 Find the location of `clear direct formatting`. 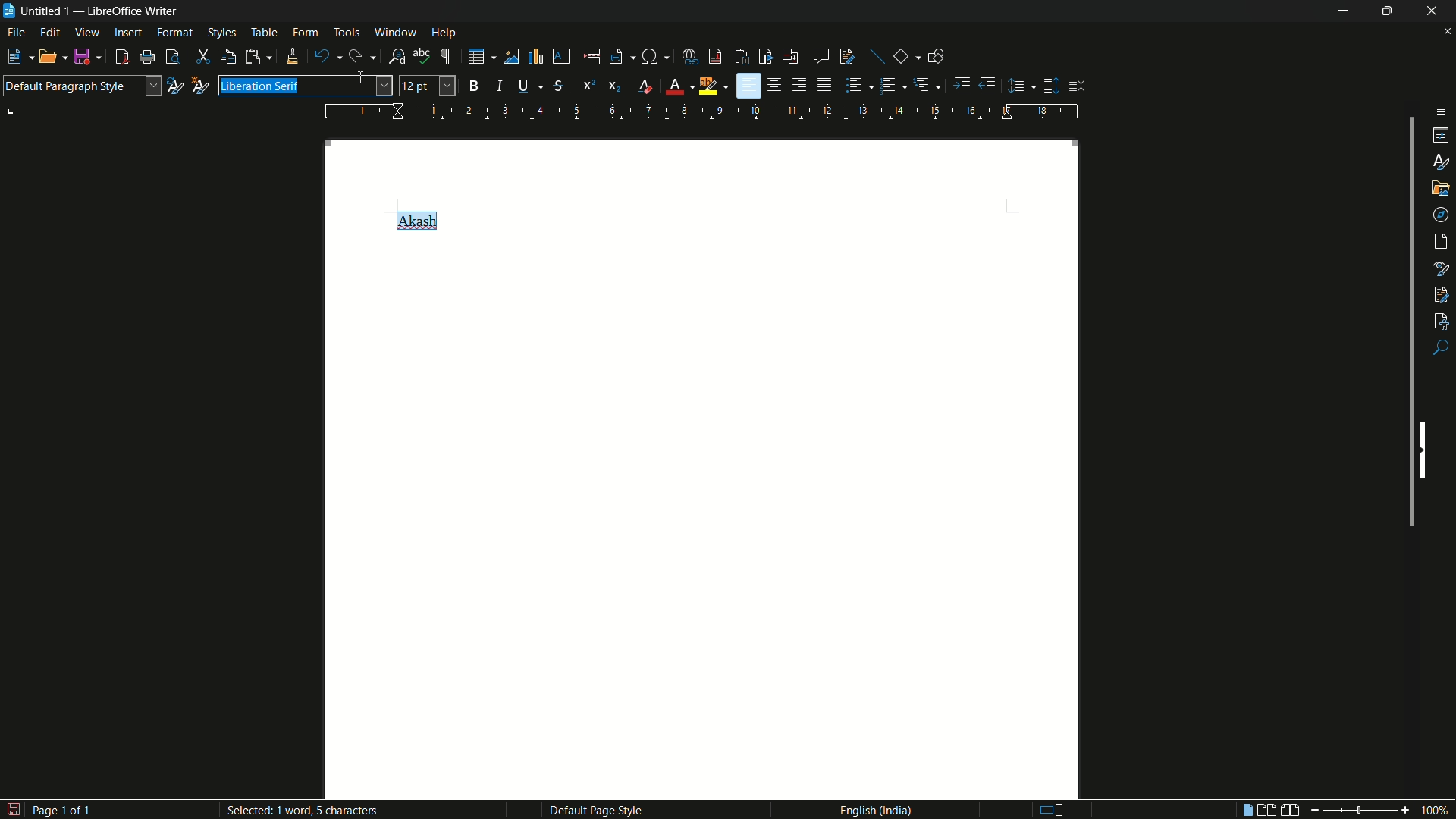

clear direct formatting is located at coordinates (648, 87).